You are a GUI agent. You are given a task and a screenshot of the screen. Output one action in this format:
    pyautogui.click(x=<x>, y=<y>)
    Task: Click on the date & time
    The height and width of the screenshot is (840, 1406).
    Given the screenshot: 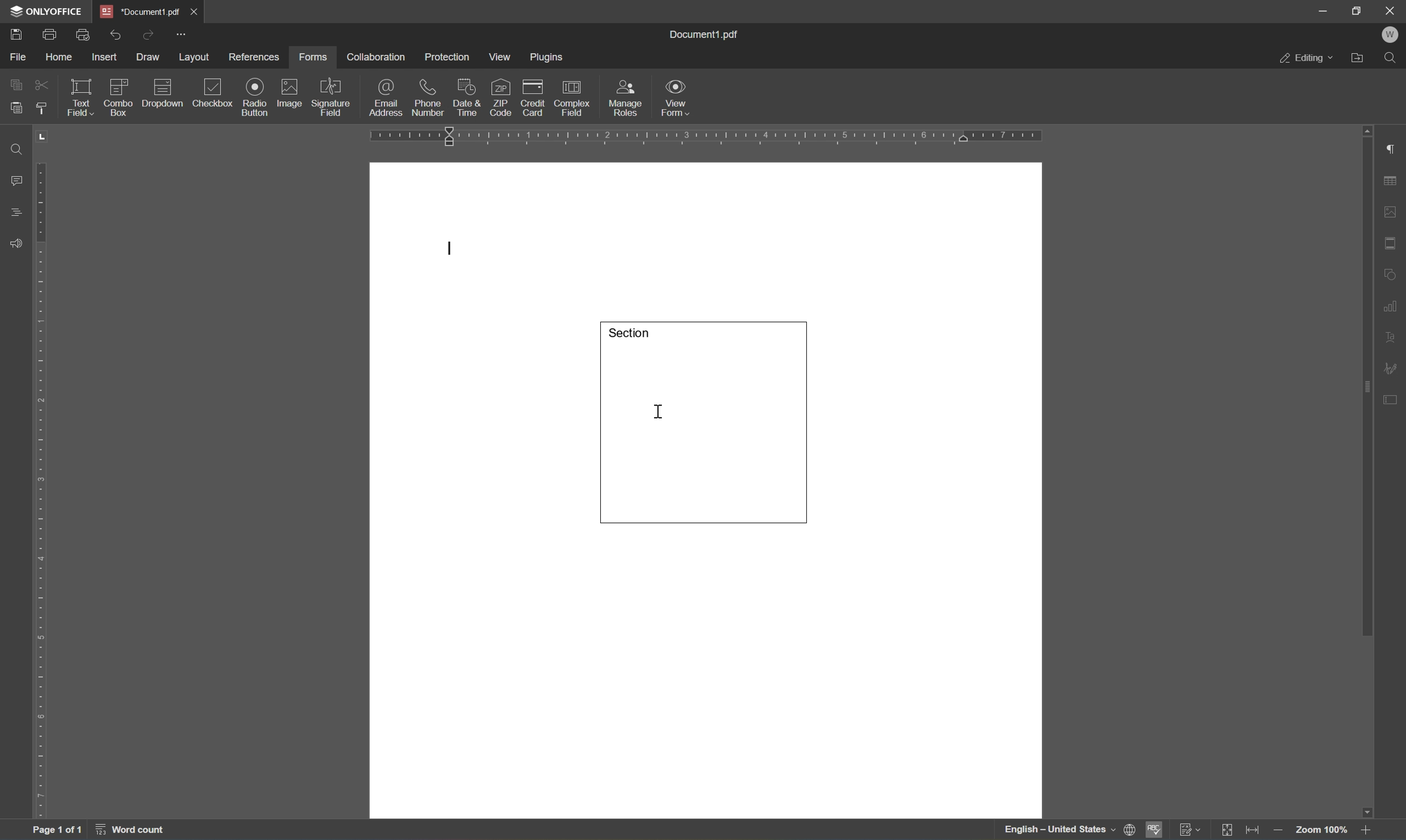 What is the action you would take?
    pyautogui.click(x=466, y=96)
    